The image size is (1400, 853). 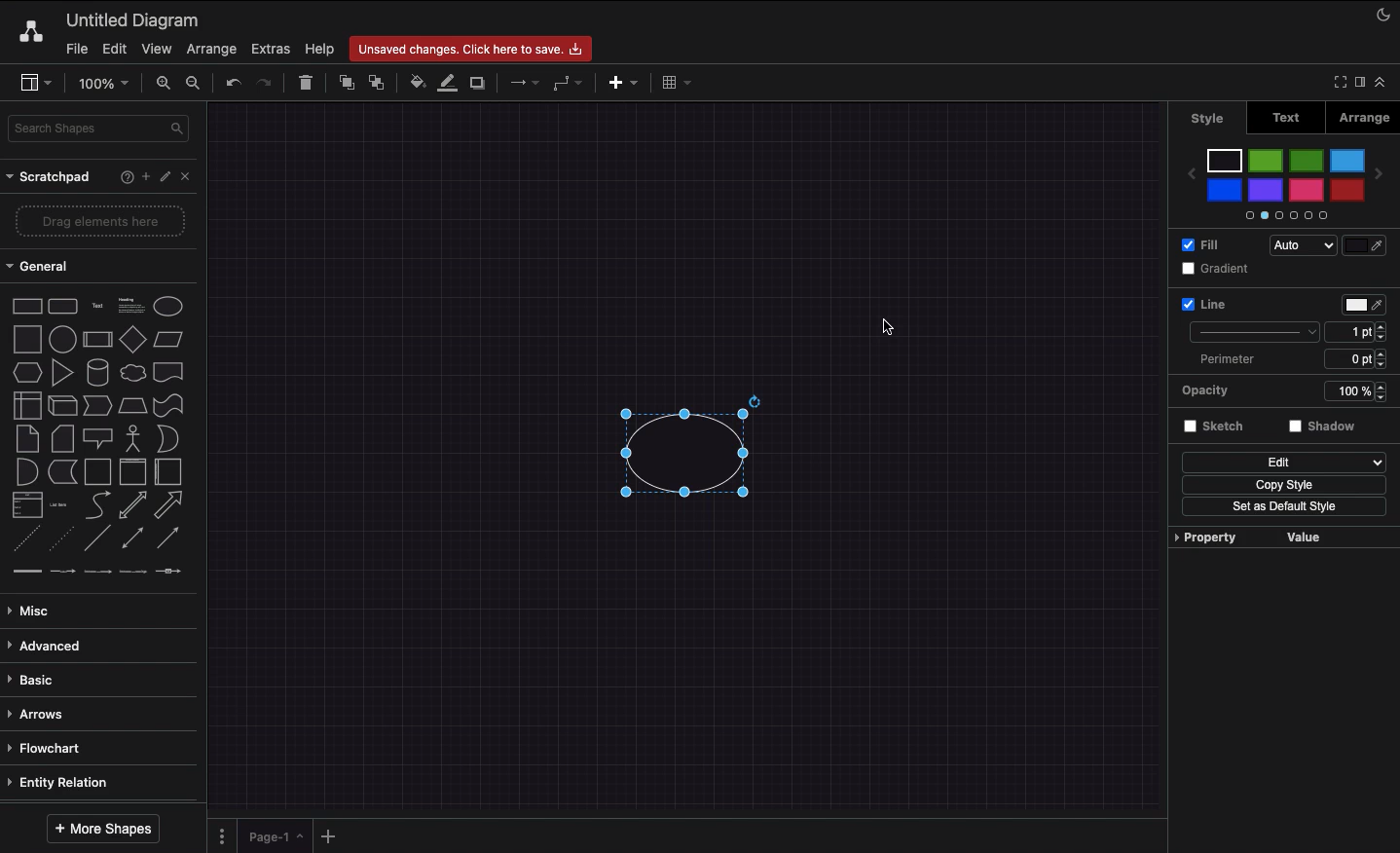 What do you see at coordinates (50, 177) in the screenshot?
I see `Scrathpad` at bounding box center [50, 177].